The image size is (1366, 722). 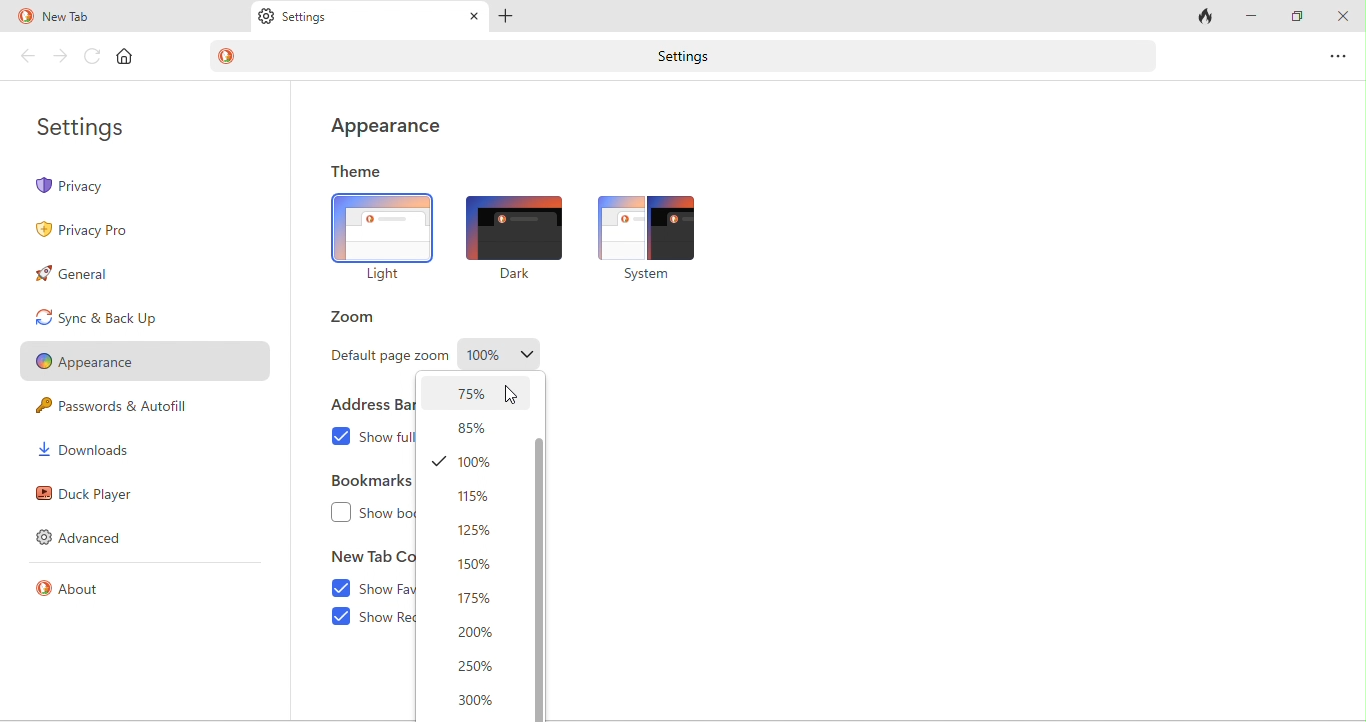 I want to click on minimize, so click(x=1253, y=15).